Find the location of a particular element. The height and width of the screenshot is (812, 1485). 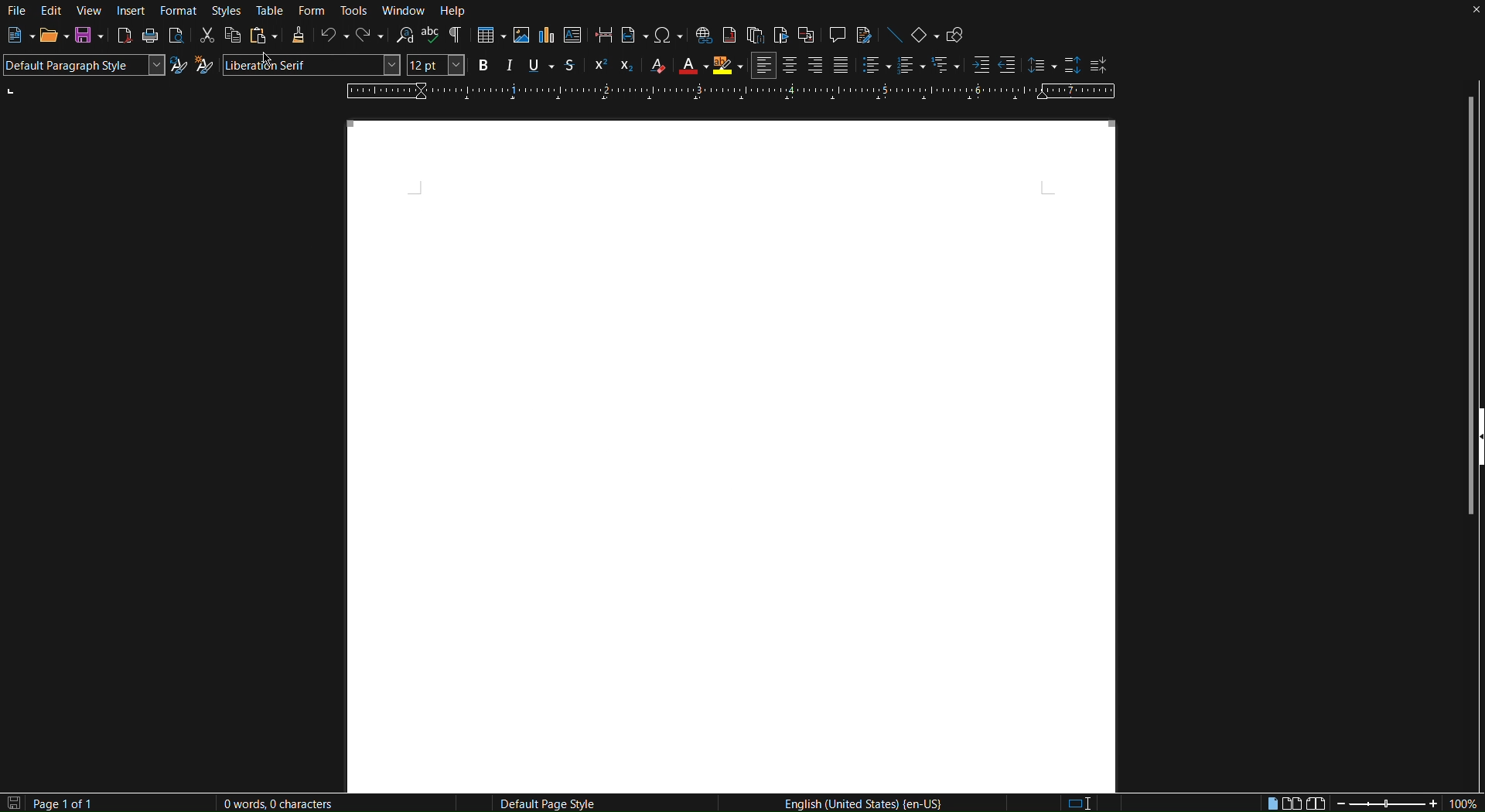

Right Align is located at coordinates (814, 67).